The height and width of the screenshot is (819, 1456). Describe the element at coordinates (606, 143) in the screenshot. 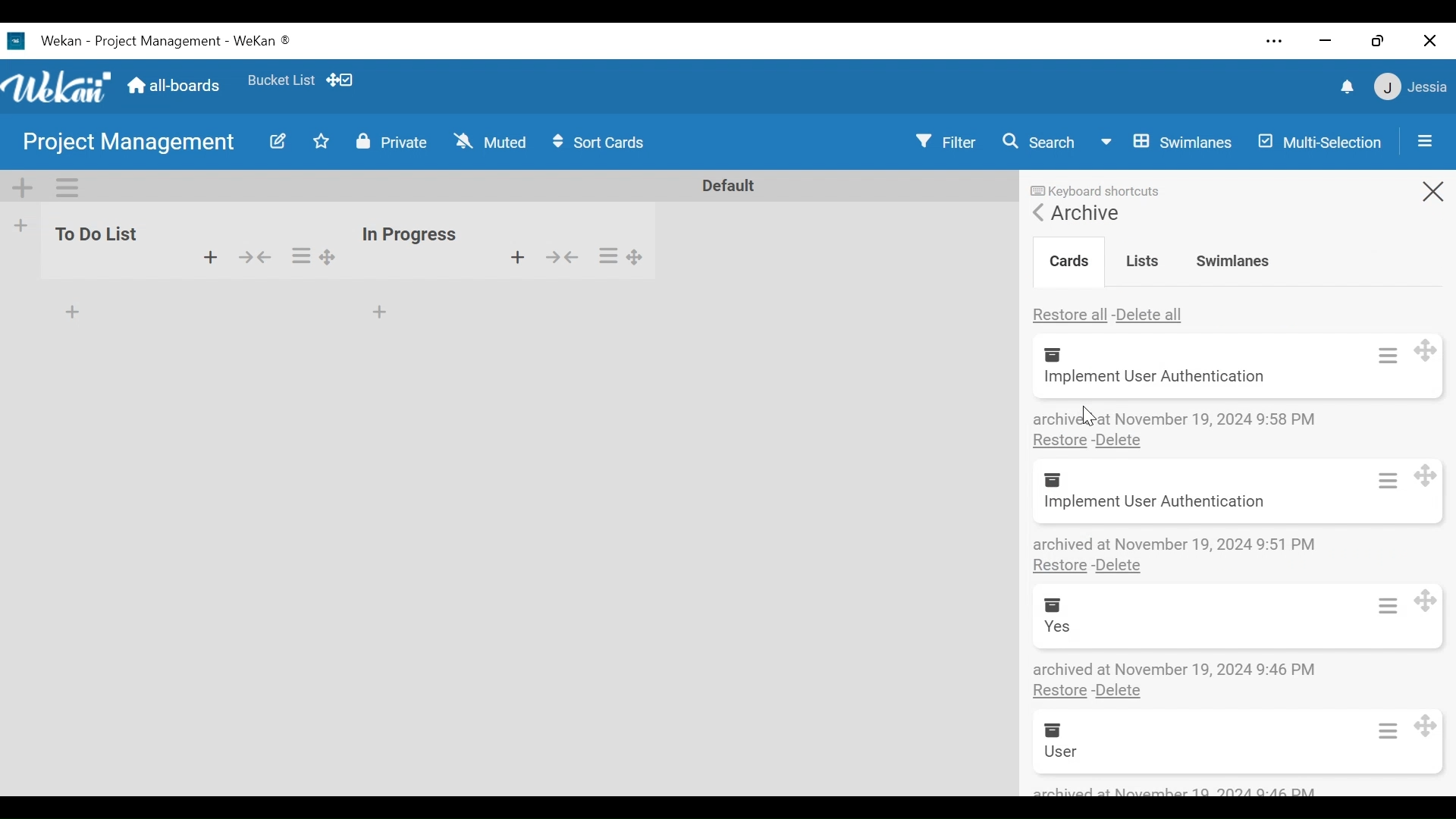

I see `Sort Card` at that location.